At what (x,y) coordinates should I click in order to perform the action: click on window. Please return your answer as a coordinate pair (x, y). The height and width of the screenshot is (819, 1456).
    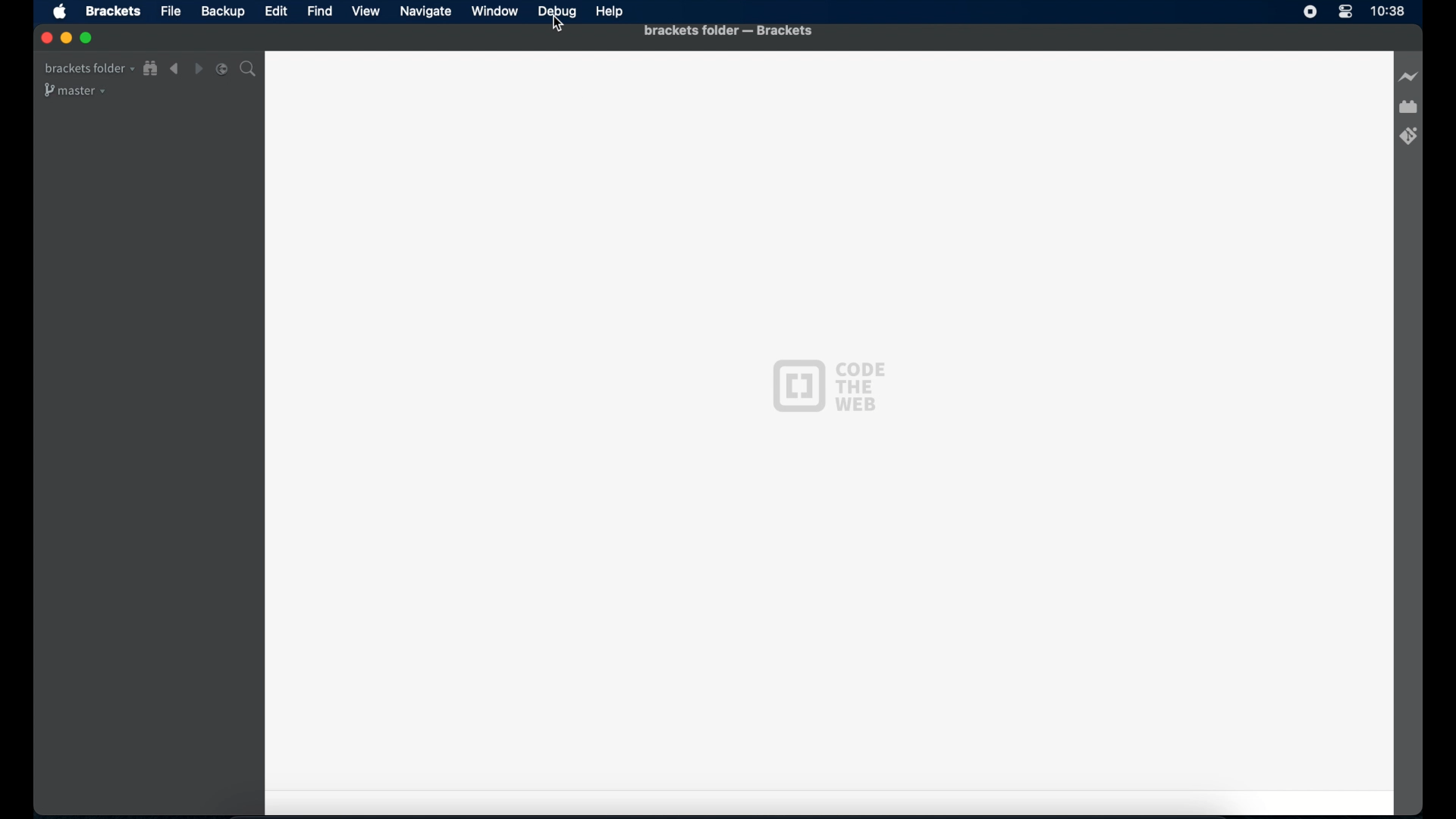
    Looking at the image, I should click on (495, 11).